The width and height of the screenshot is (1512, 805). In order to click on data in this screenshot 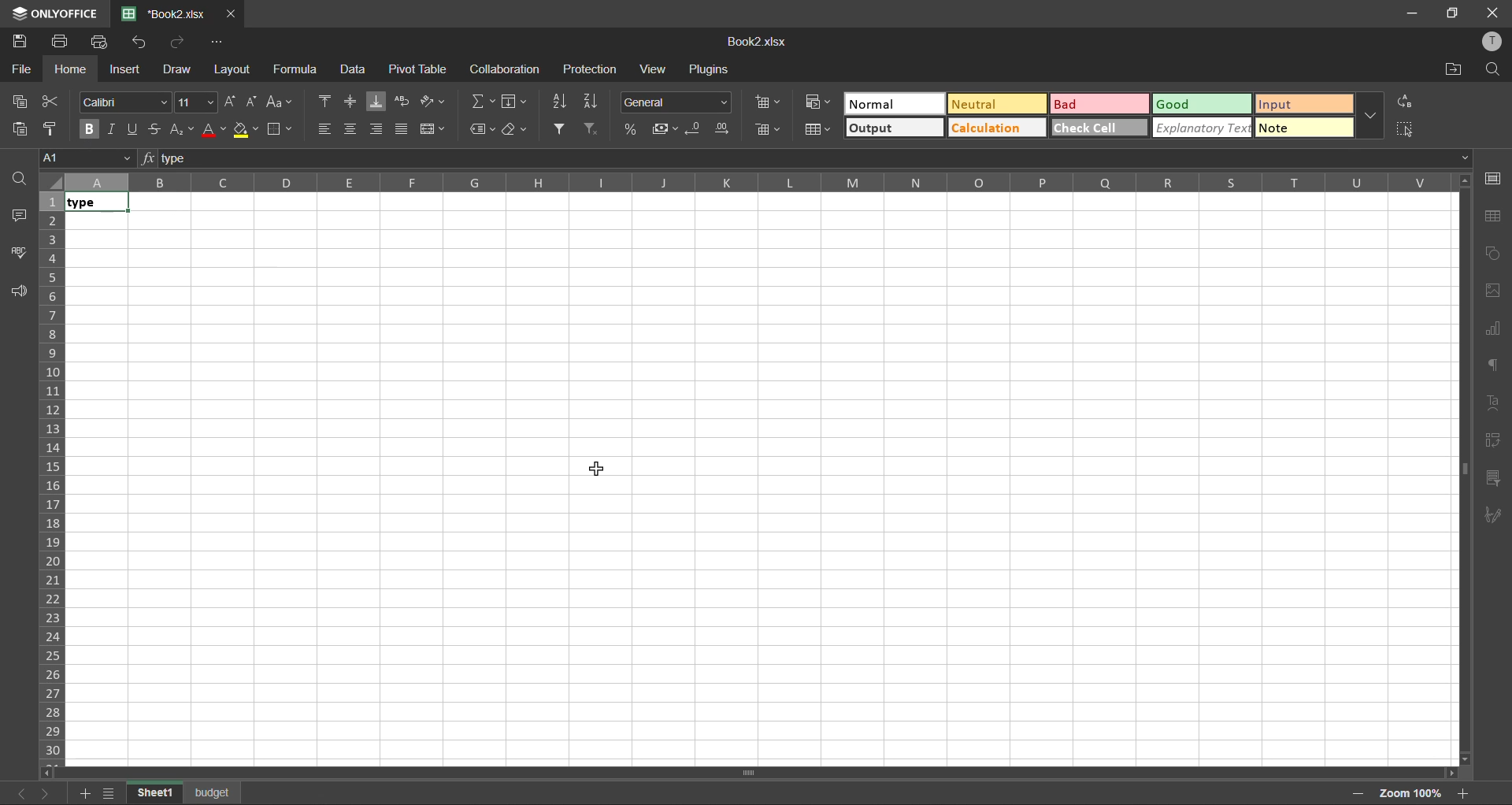, I will do `click(358, 71)`.